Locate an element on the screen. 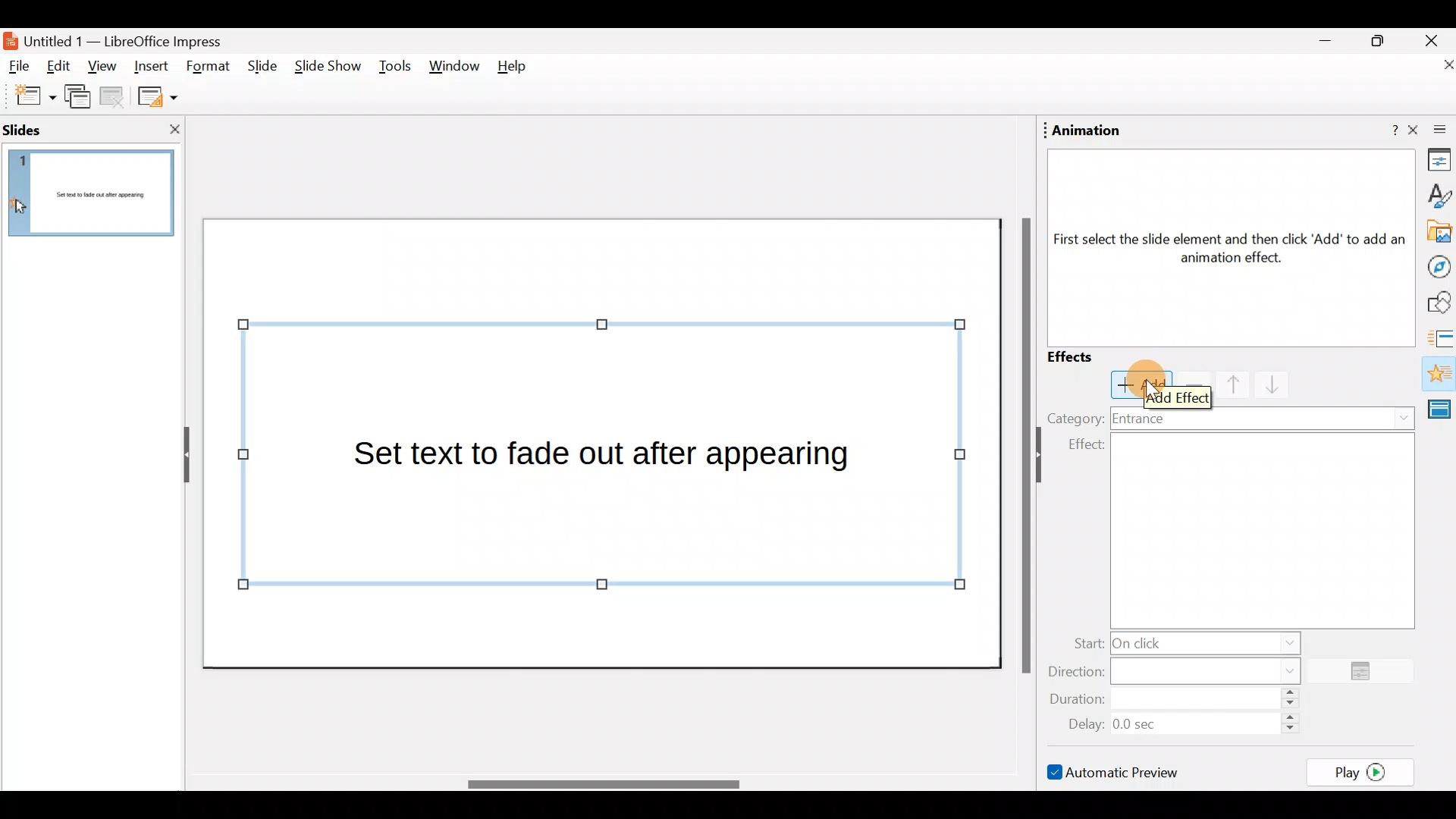 This screenshot has height=819, width=1456. Insert is located at coordinates (151, 64).